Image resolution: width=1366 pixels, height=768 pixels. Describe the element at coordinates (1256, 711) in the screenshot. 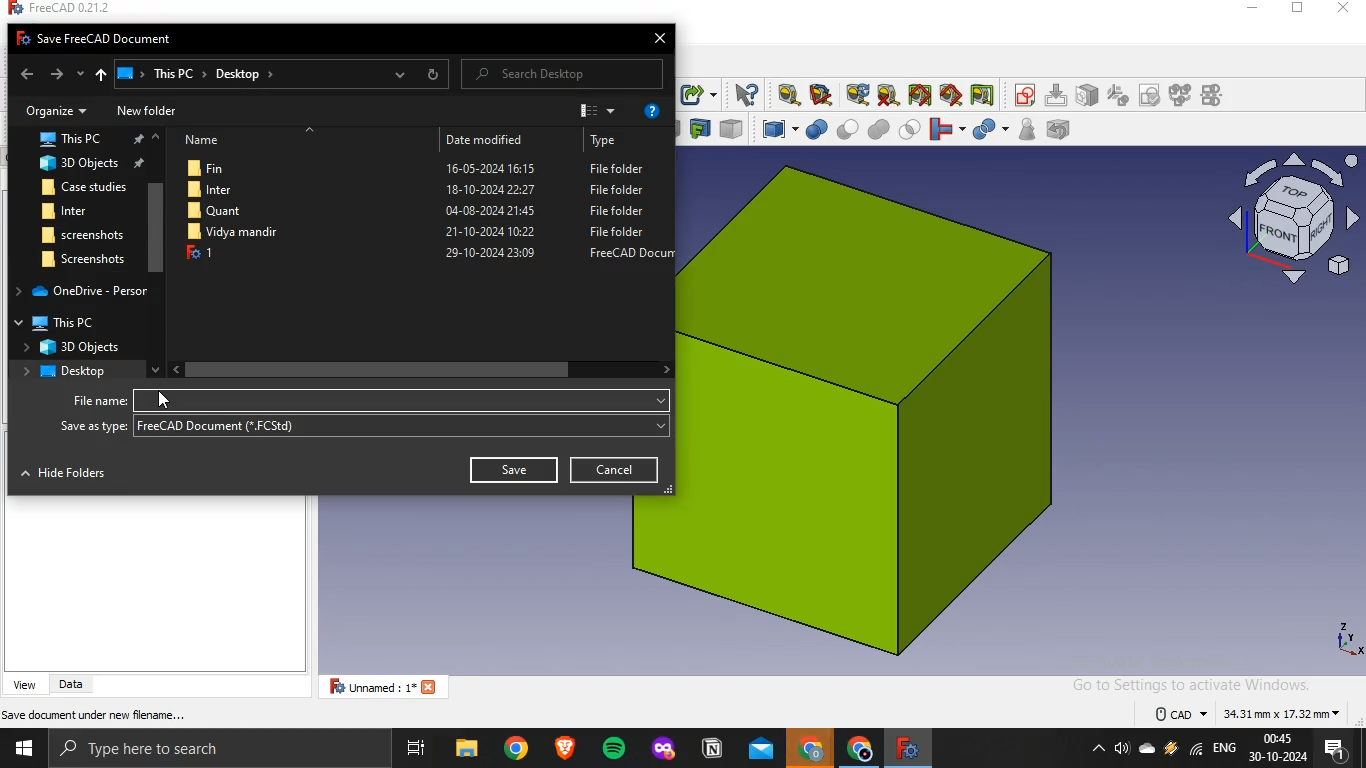

I see `dimensions` at that location.